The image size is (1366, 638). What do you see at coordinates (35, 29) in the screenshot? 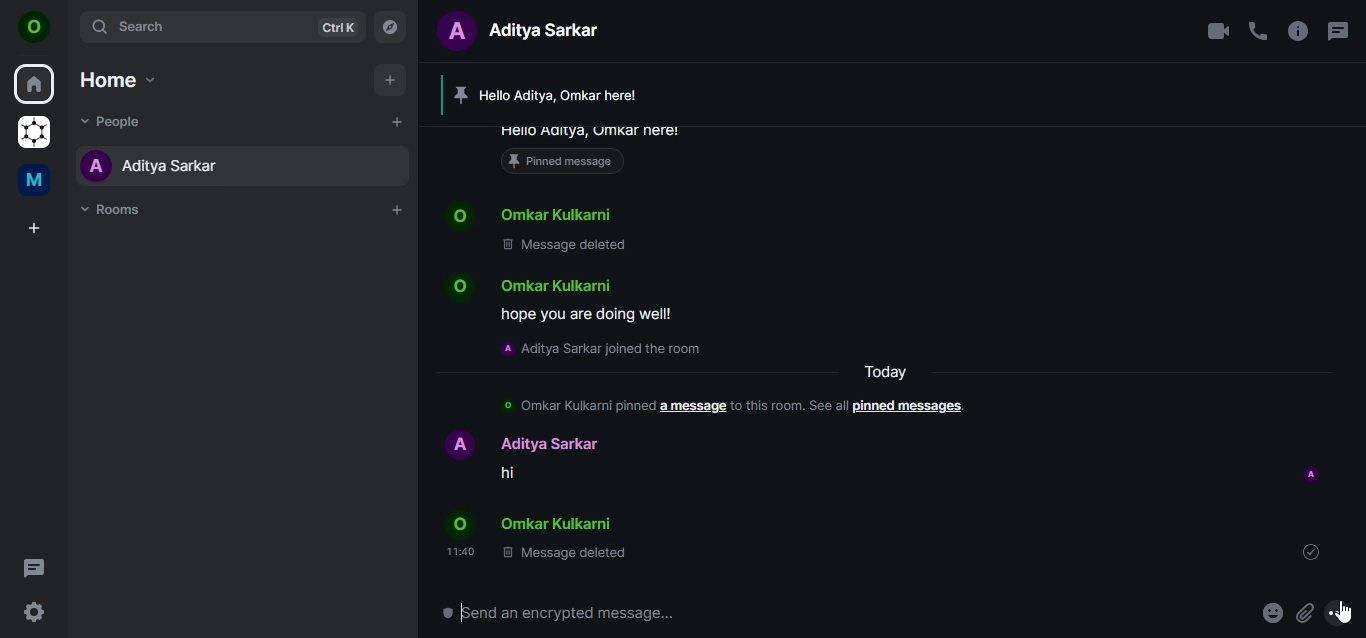
I see `view profile` at bounding box center [35, 29].